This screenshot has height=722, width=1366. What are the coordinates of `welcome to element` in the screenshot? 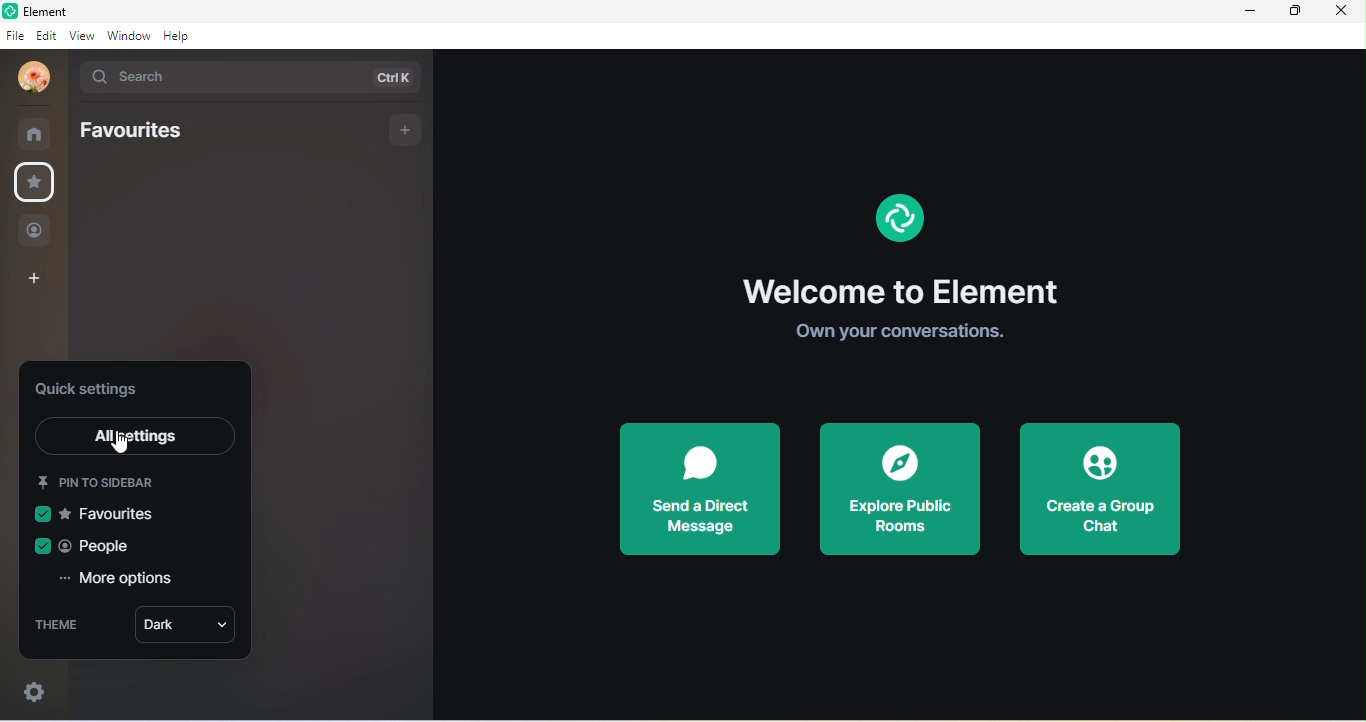 It's located at (900, 292).